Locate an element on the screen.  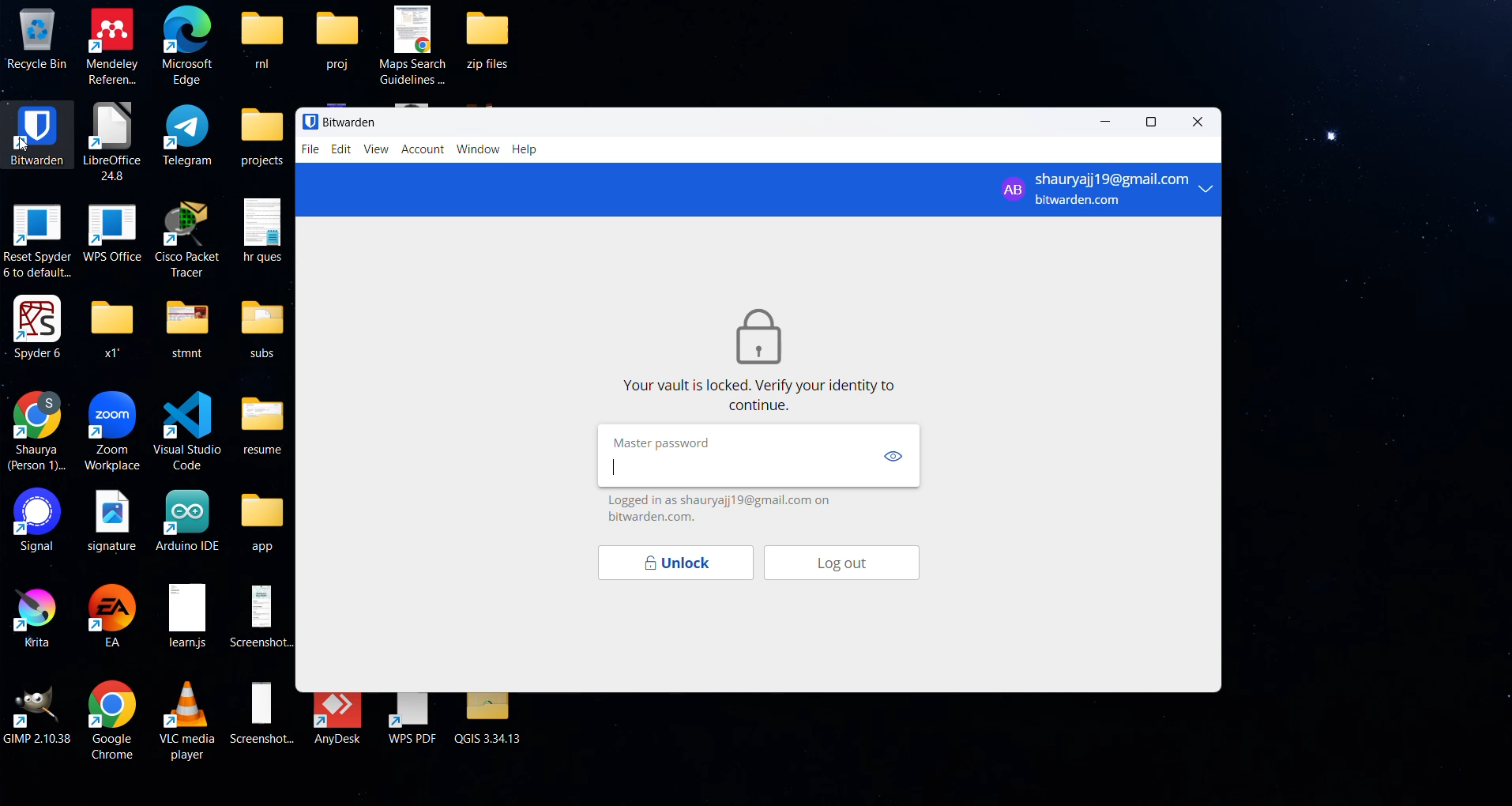
resume is located at coordinates (264, 421).